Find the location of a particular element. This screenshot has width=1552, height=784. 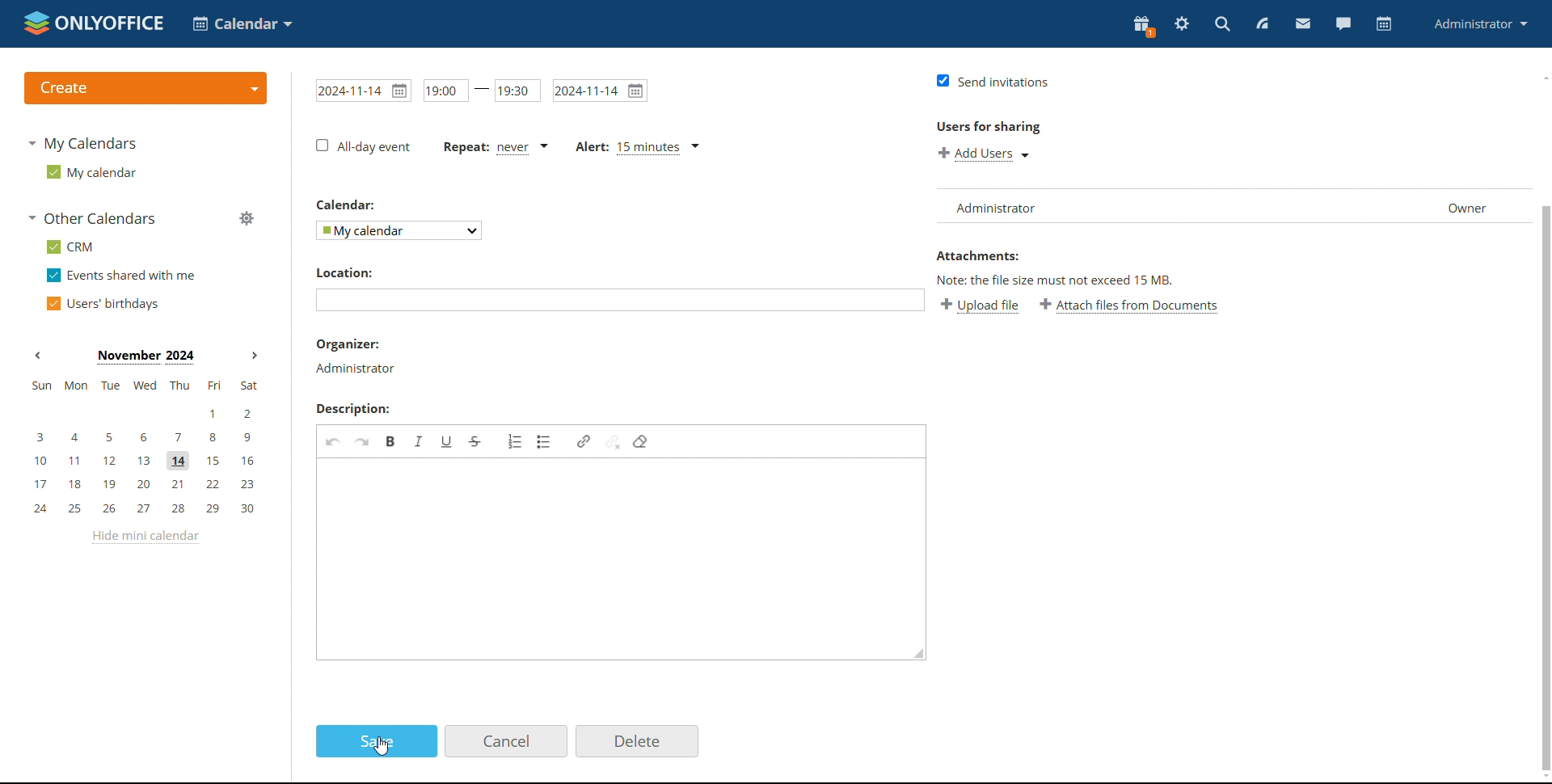

underline is located at coordinates (445, 440).